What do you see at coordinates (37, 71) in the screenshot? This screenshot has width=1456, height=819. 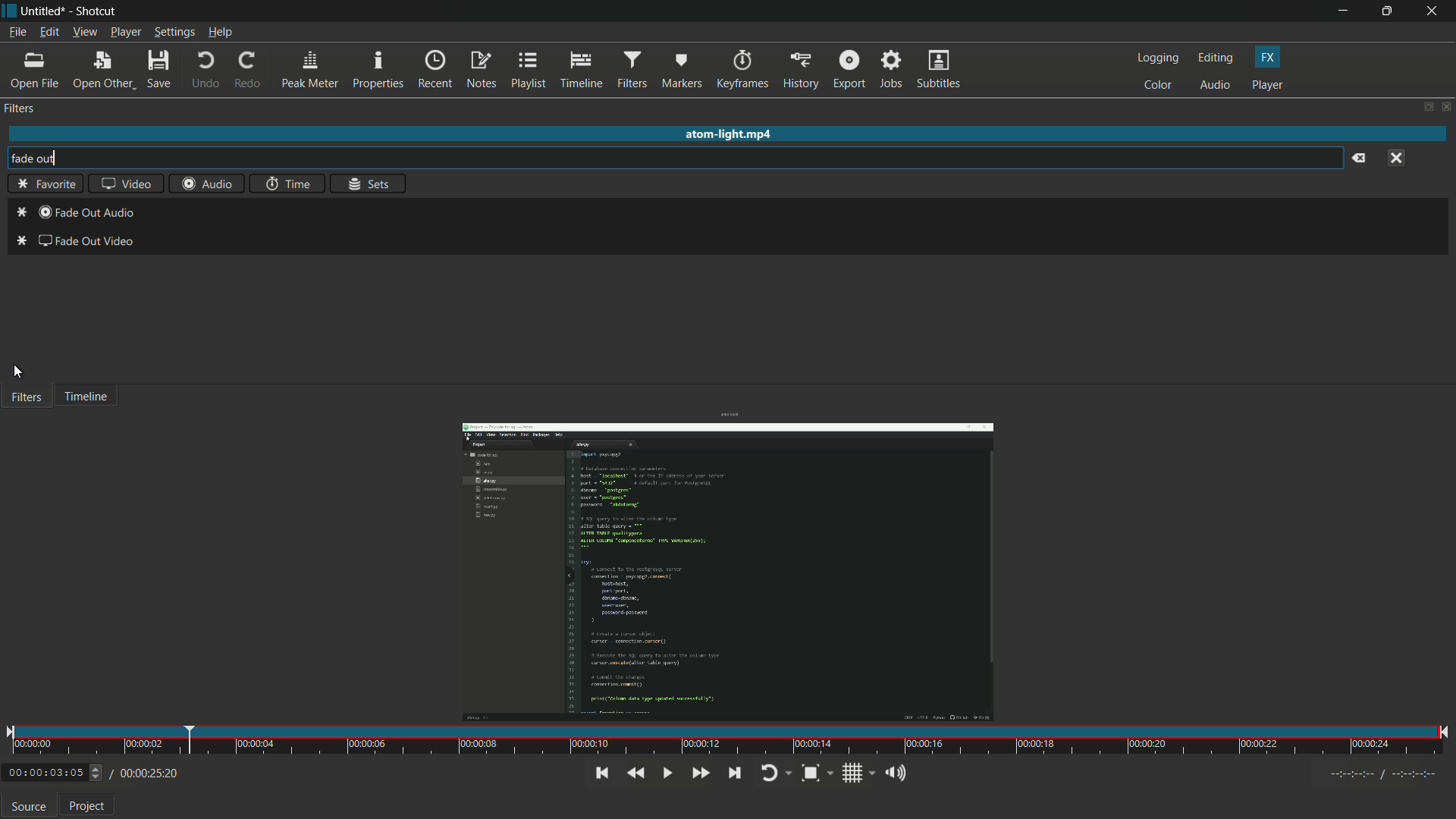 I see `open file` at bounding box center [37, 71].